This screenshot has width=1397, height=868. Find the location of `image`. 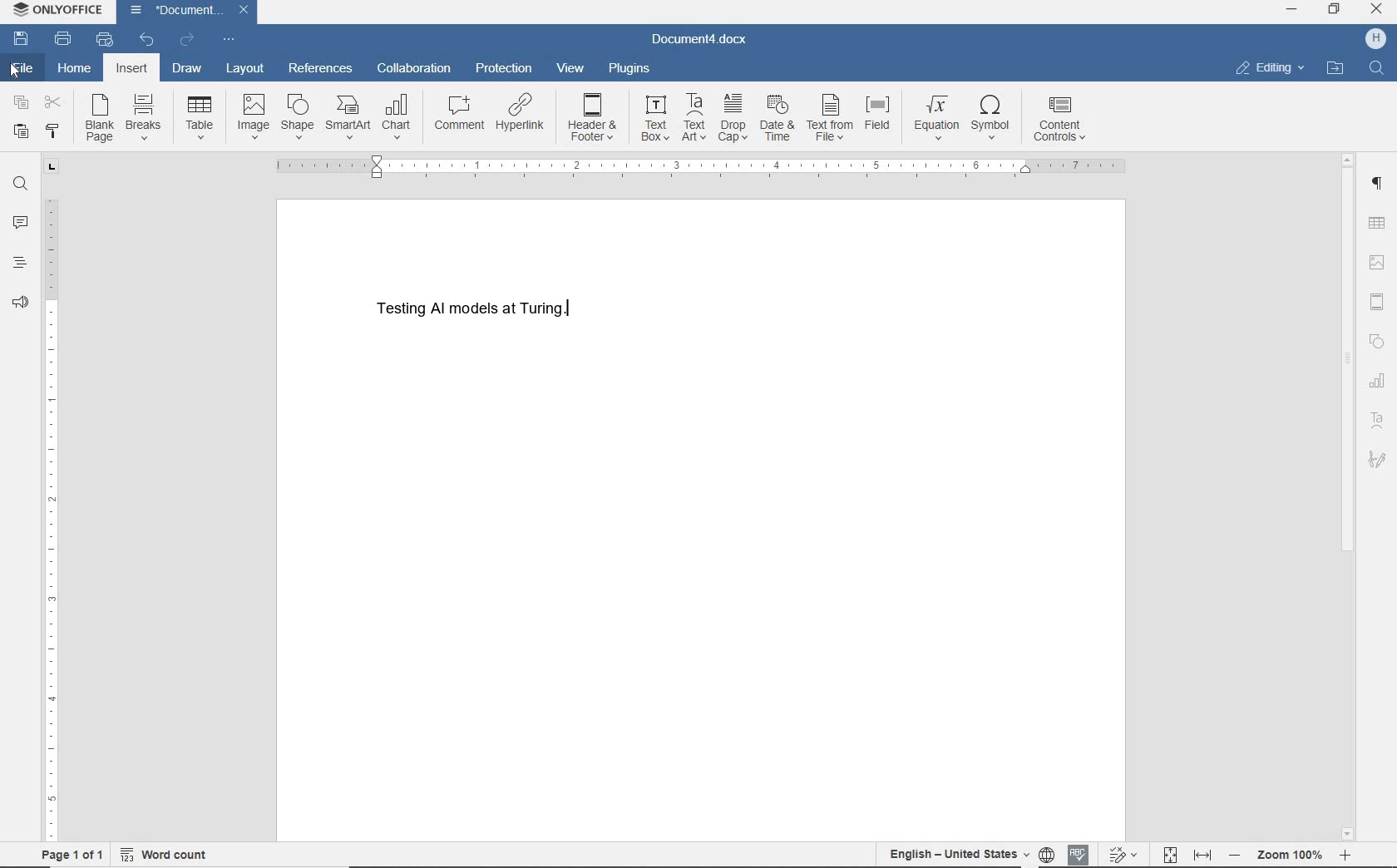

image is located at coordinates (253, 118).